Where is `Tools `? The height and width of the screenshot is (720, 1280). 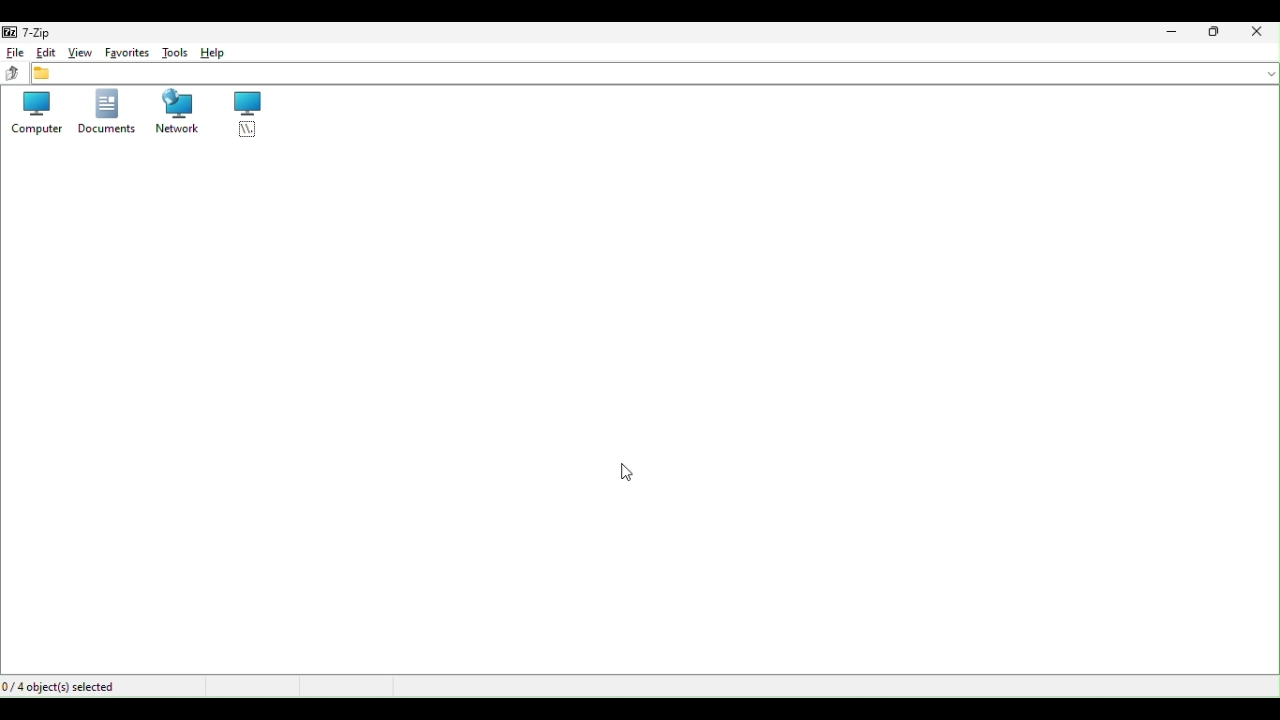 Tools  is located at coordinates (175, 51).